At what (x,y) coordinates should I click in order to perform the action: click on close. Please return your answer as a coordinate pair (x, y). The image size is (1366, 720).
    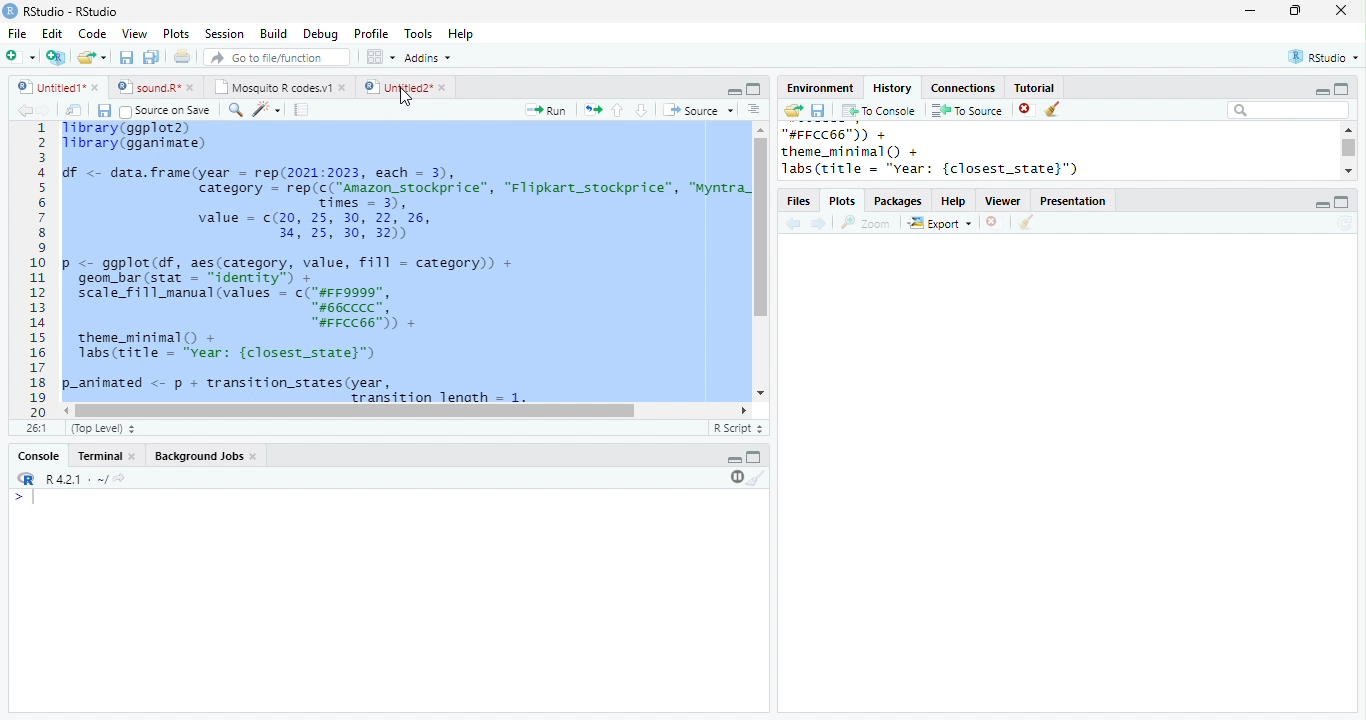
    Looking at the image, I should click on (98, 89).